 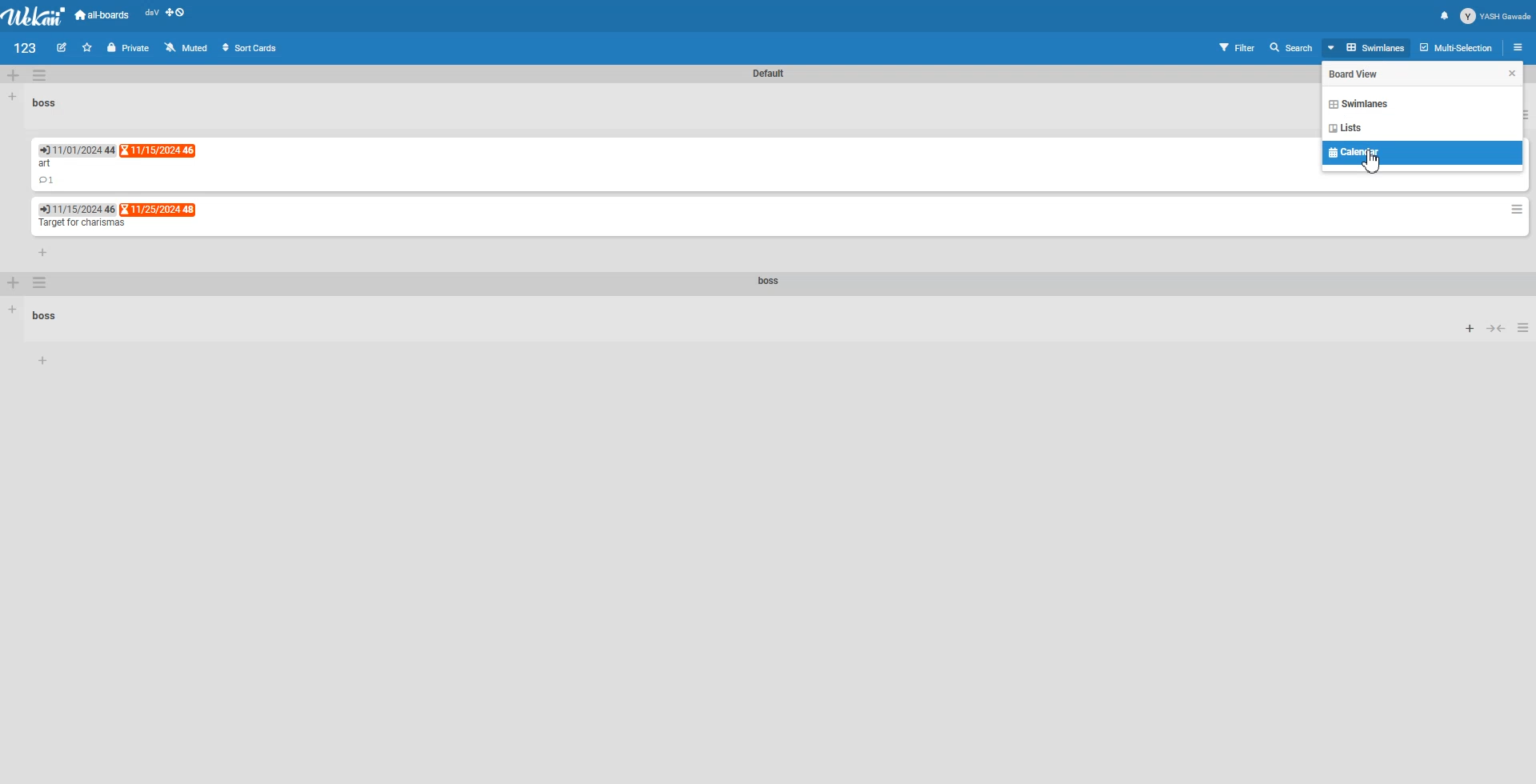 What do you see at coordinates (1358, 73) in the screenshot?
I see `Text` at bounding box center [1358, 73].